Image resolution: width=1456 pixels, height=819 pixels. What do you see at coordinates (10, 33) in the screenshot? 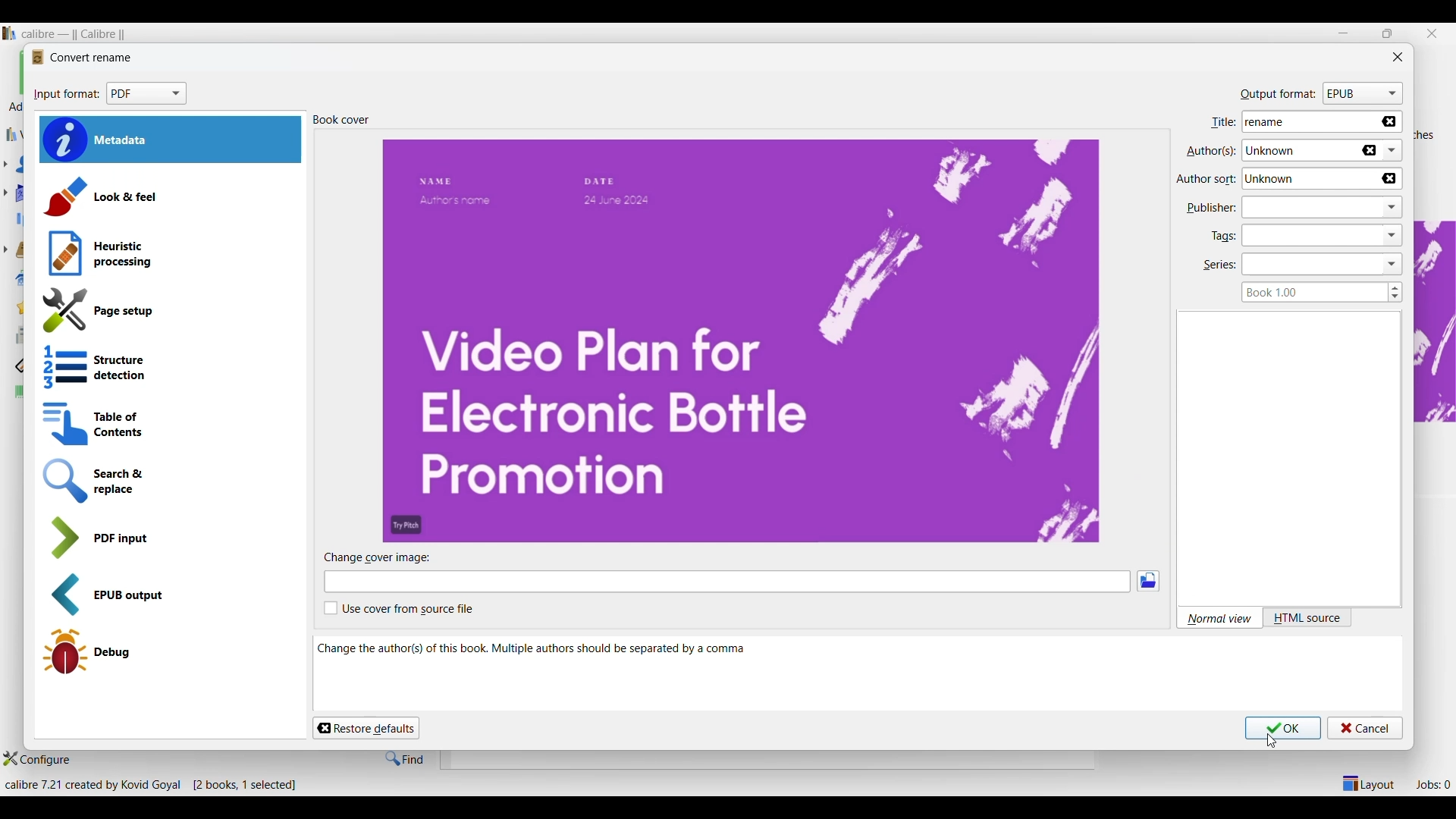
I see `Software logo` at bounding box center [10, 33].